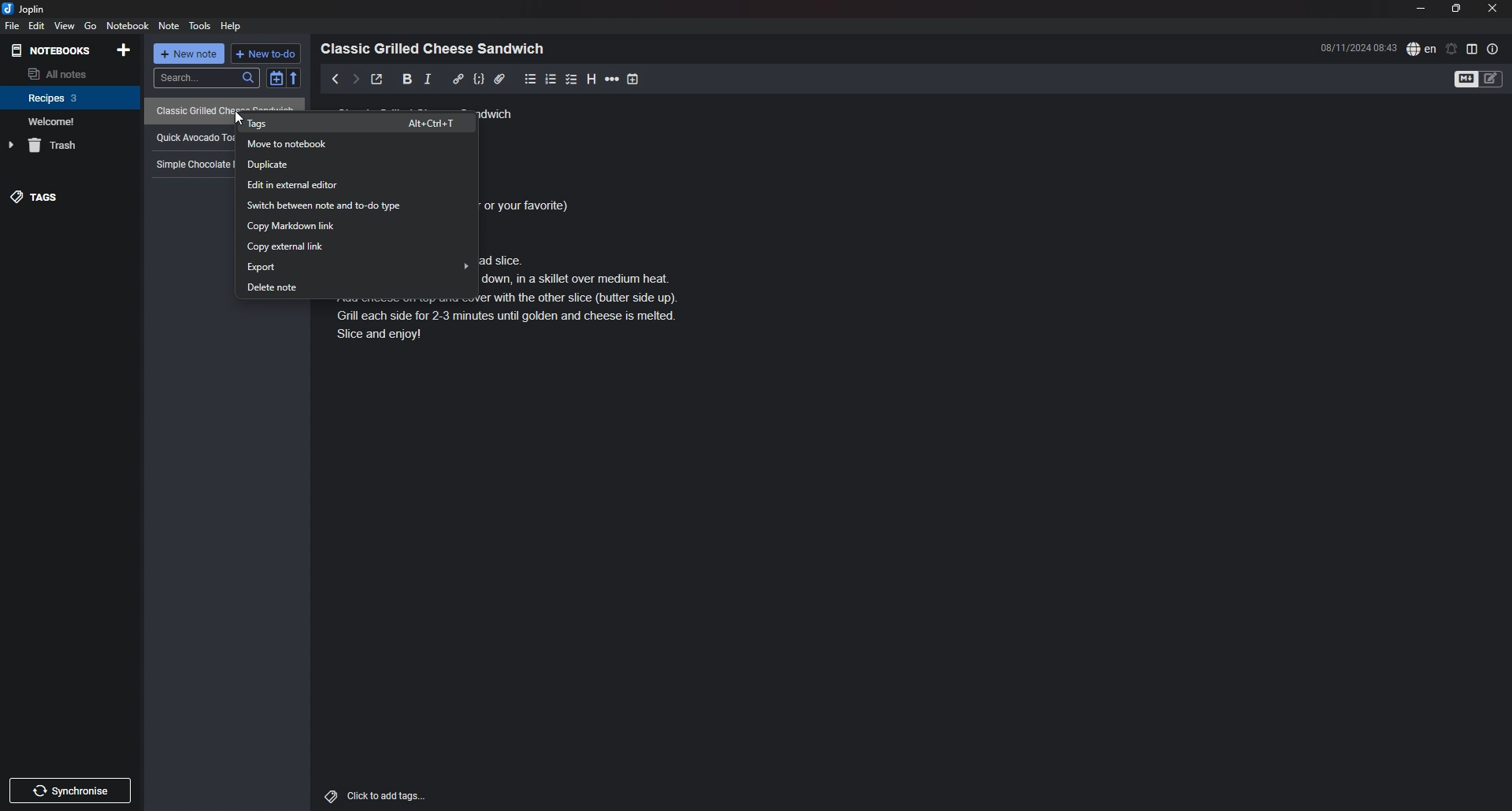 The width and height of the screenshot is (1512, 811). Describe the element at coordinates (71, 97) in the screenshot. I see `notebook` at that location.